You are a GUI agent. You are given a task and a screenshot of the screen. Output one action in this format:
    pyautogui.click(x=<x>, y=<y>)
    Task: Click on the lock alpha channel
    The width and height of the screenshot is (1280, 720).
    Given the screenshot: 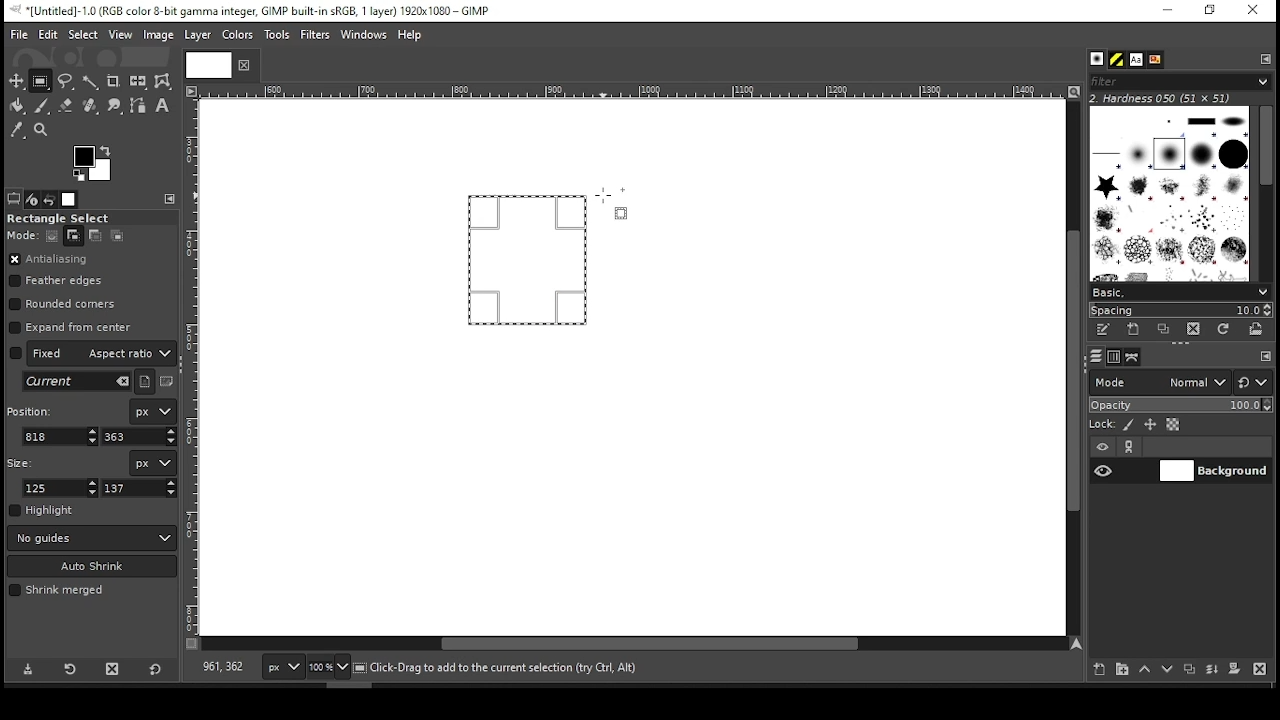 What is the action you would take?
    pyautogui.click(x=1172, y=425)
    